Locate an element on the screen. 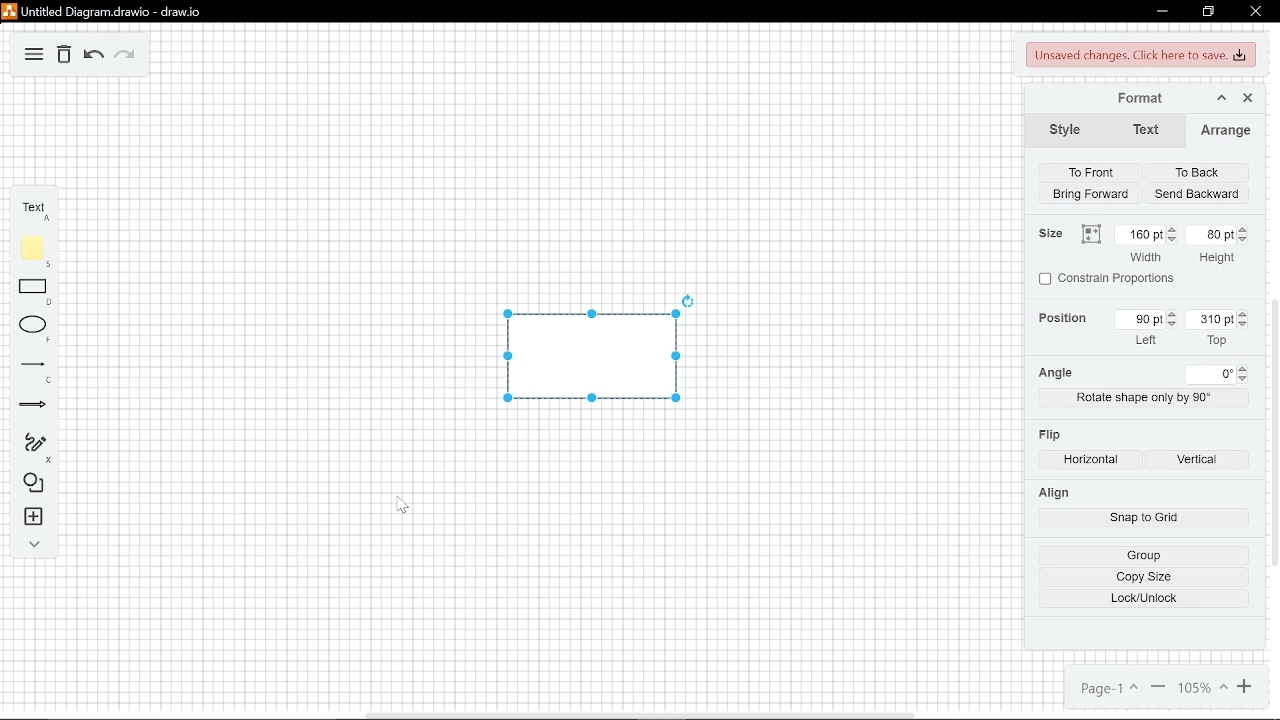 The image size is (1280, 720). cursor is located at coordinates (409, 506).